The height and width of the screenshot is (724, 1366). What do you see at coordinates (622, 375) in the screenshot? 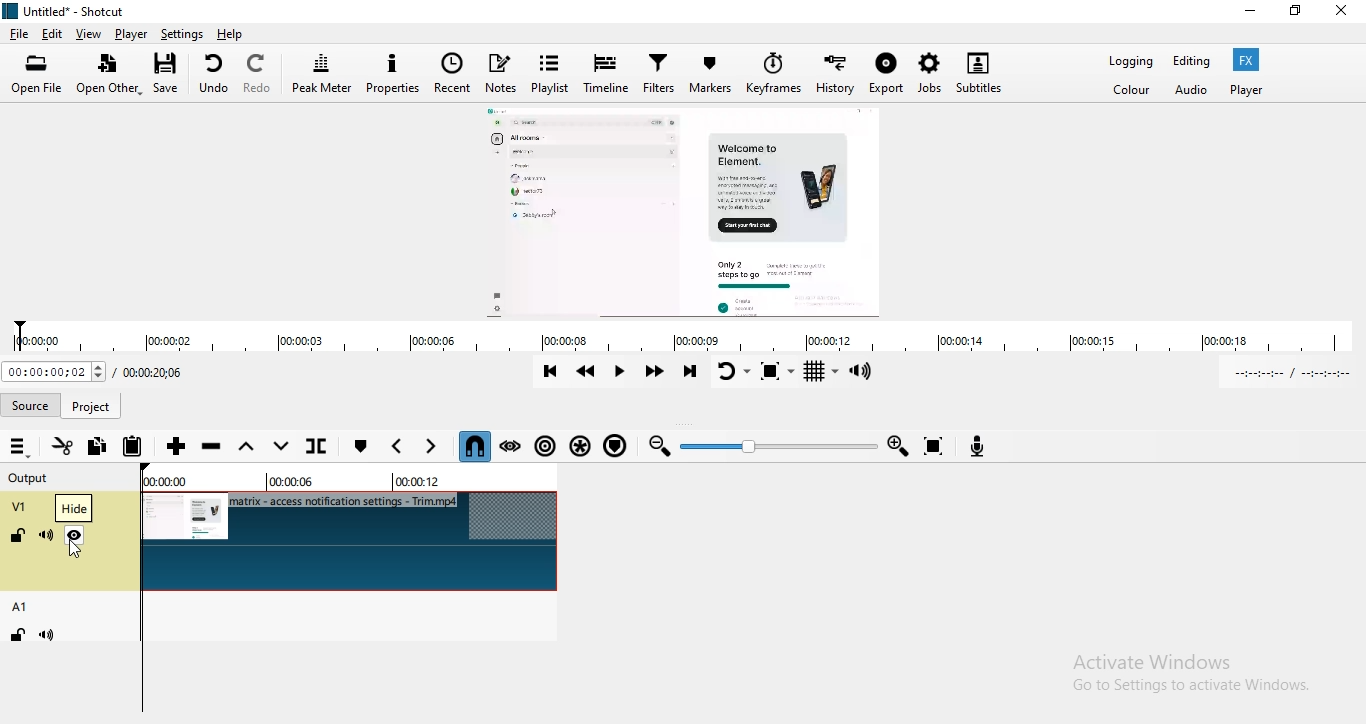
I see `Toggle play or pause` at bounding box center [622, 375].